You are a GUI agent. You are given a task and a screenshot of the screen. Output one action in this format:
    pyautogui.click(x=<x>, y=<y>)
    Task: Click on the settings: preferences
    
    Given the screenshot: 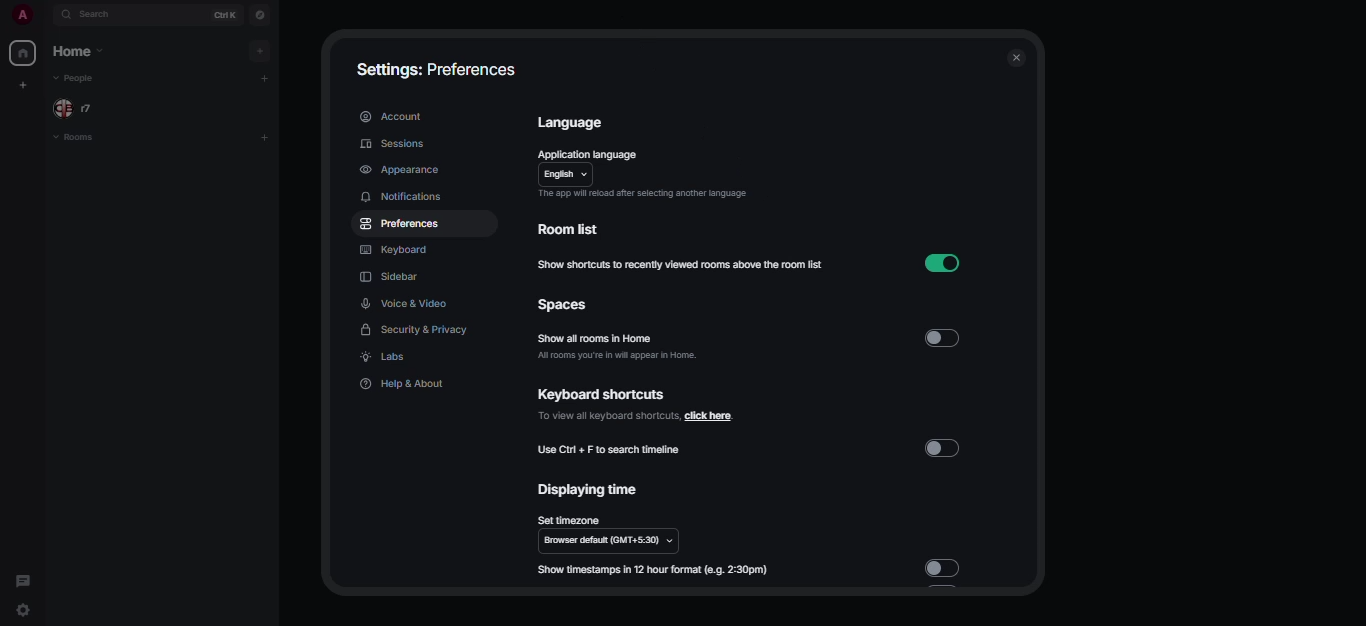 What is the action you would take?
    pyautogui.click(x=435, y=69)
    